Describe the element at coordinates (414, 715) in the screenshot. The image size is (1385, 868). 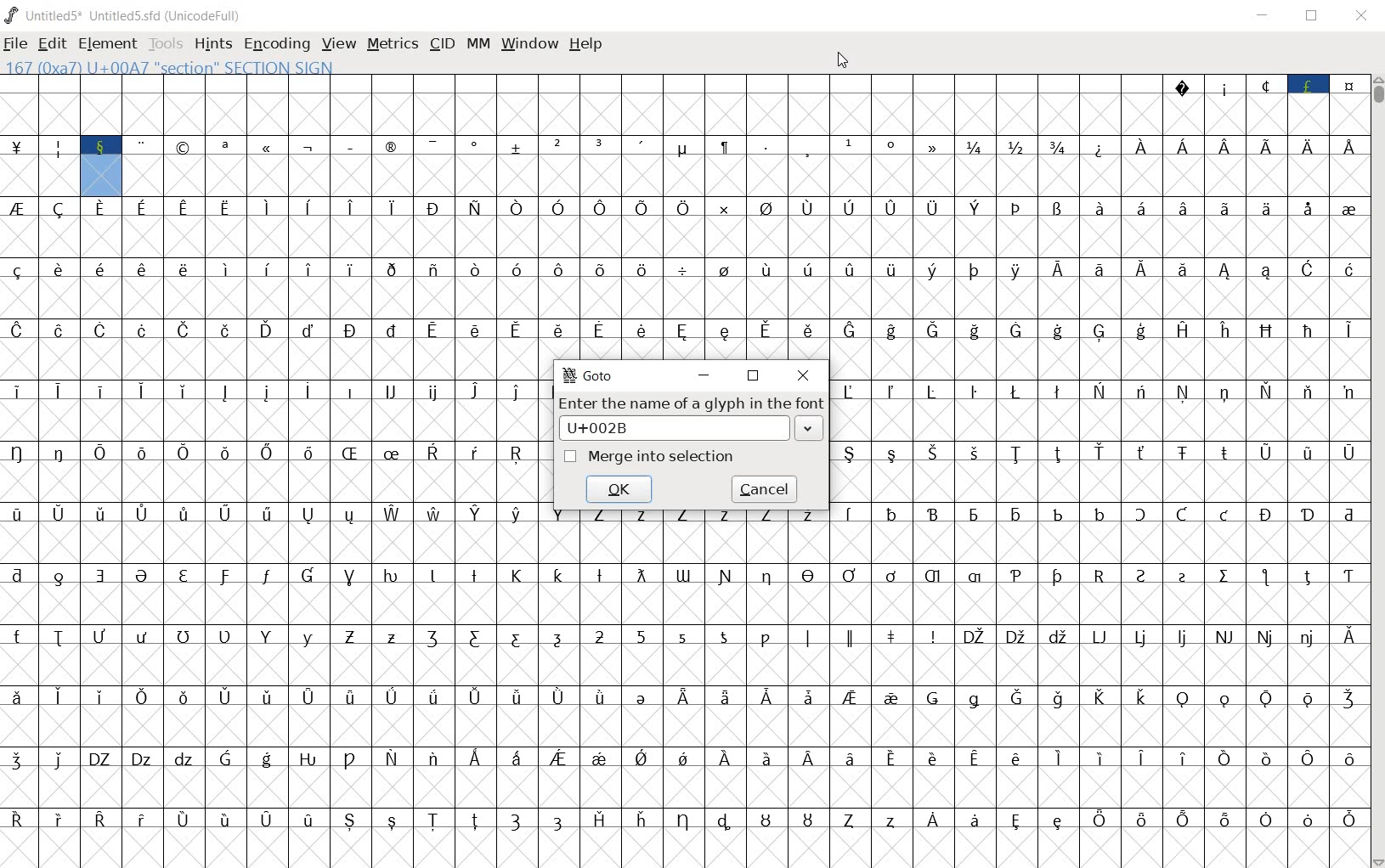
I see `Latin extended characters` at that location.